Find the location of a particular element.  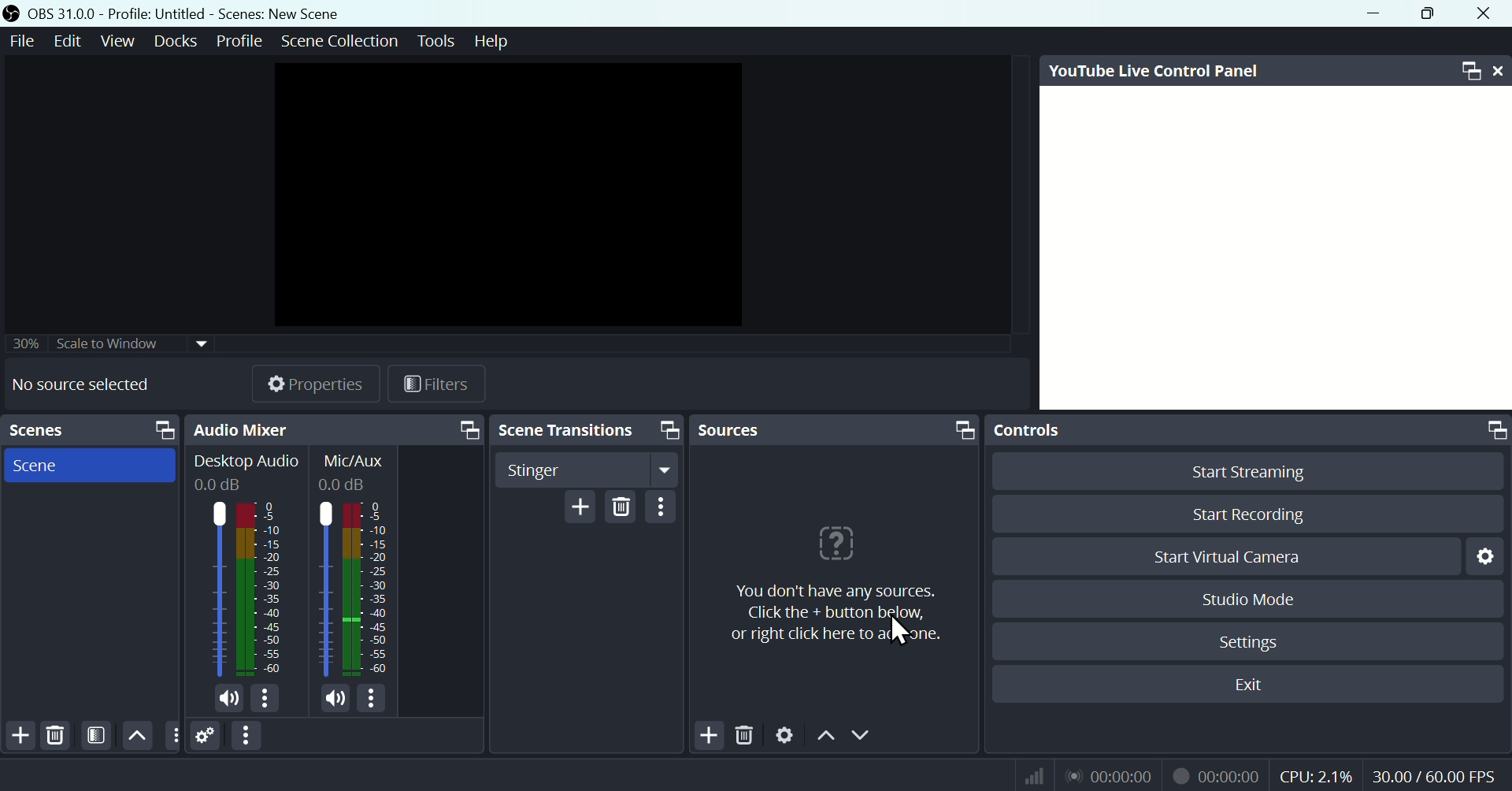

Up is located at coordinates (825, 734).